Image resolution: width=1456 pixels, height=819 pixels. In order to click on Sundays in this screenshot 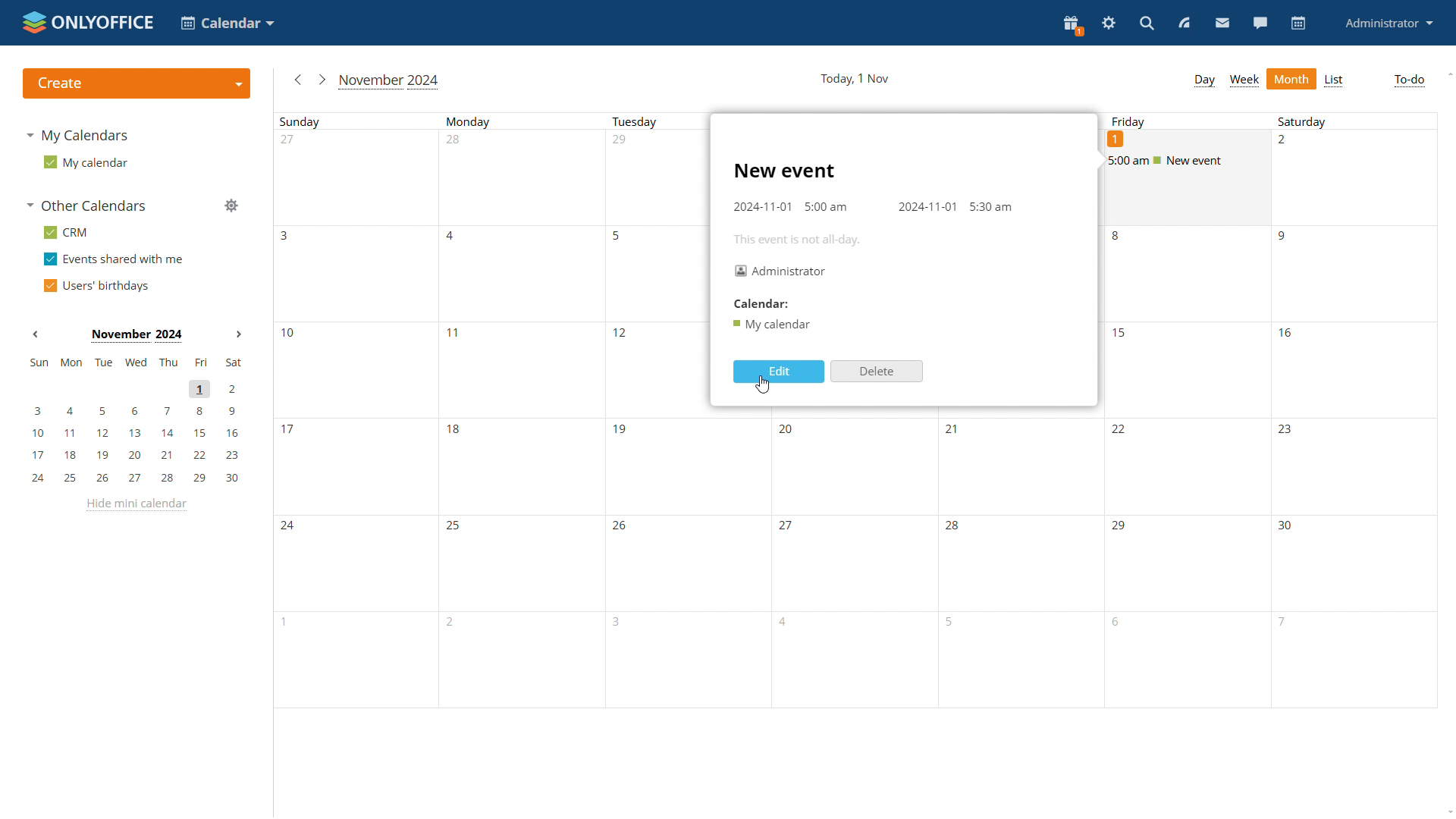, I will do `click(356, 411)`.